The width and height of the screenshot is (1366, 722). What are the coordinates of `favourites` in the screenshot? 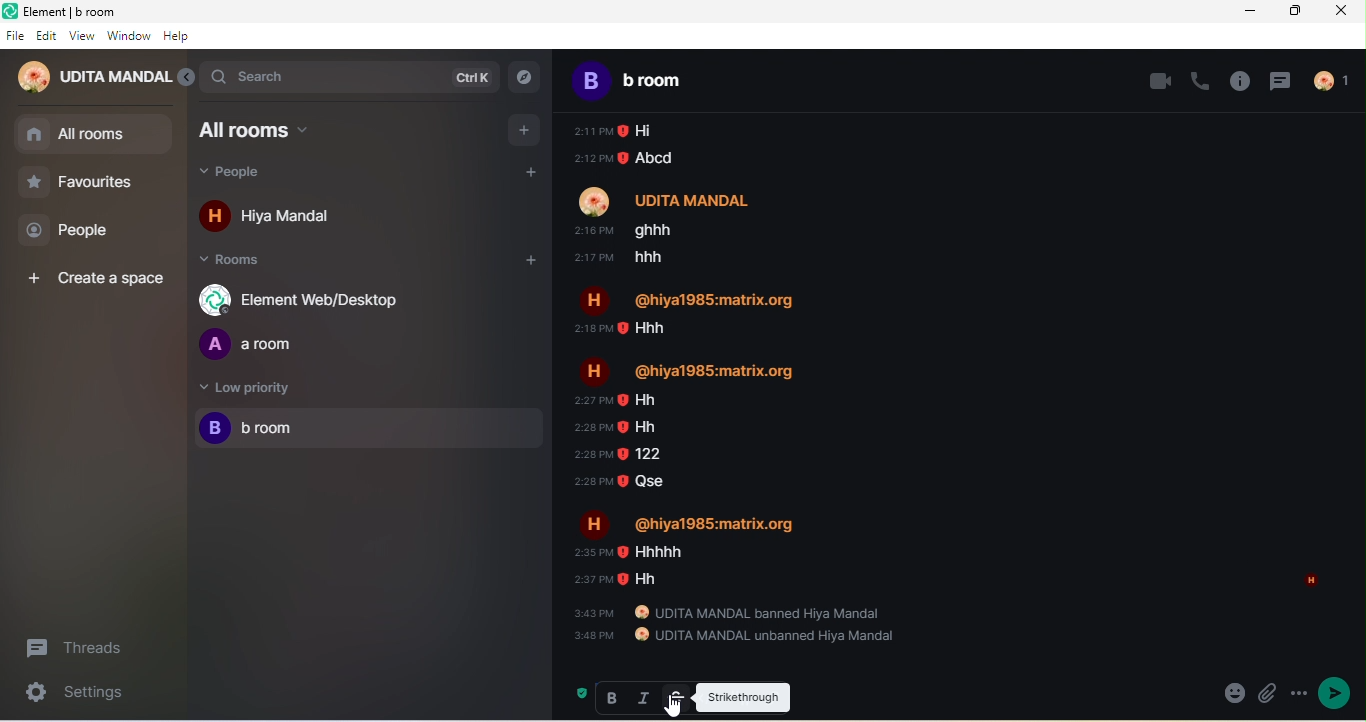 It's located at (91, 183).